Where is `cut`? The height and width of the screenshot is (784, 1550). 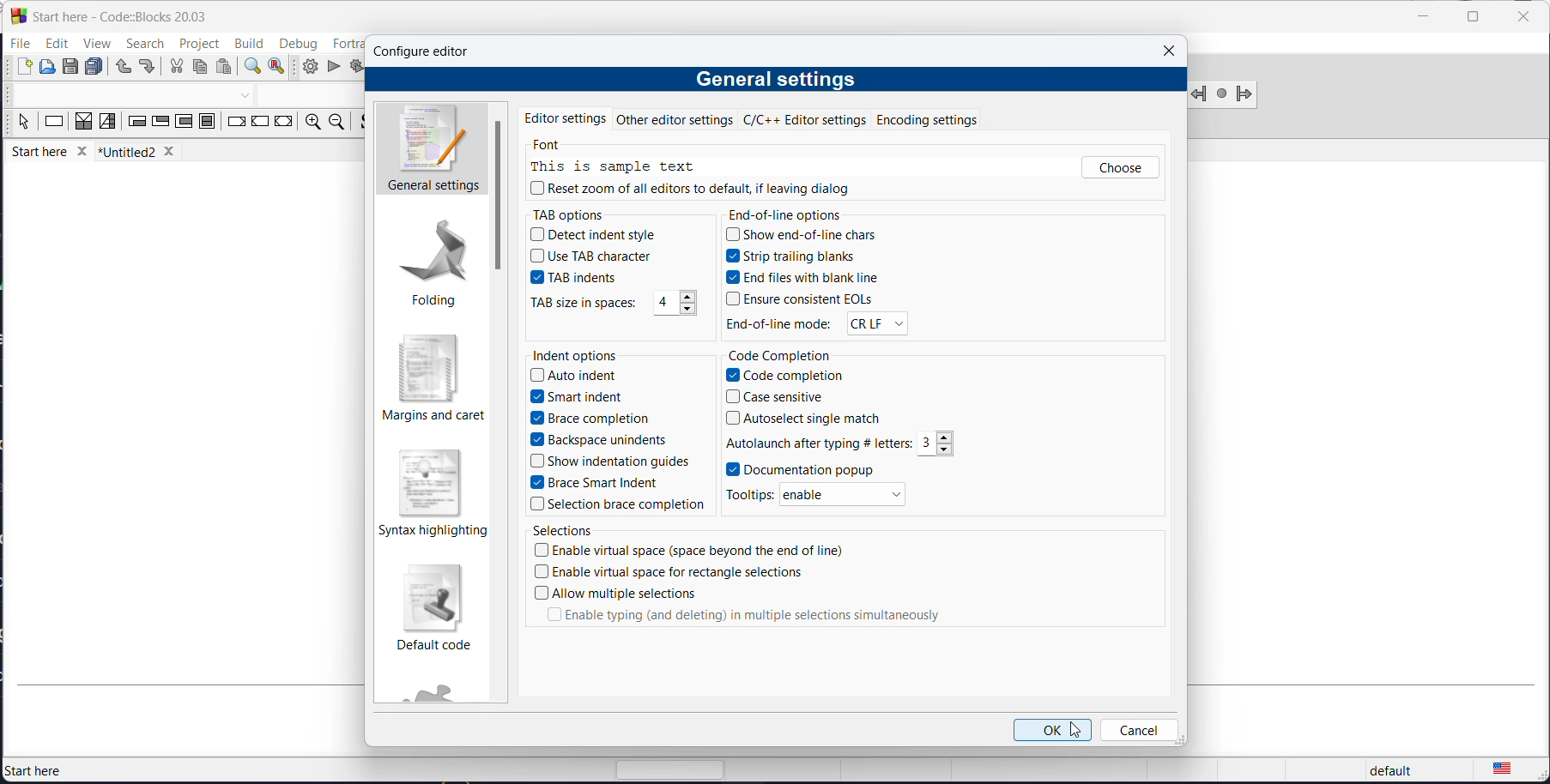
cut is located at coordinates (176, 68).